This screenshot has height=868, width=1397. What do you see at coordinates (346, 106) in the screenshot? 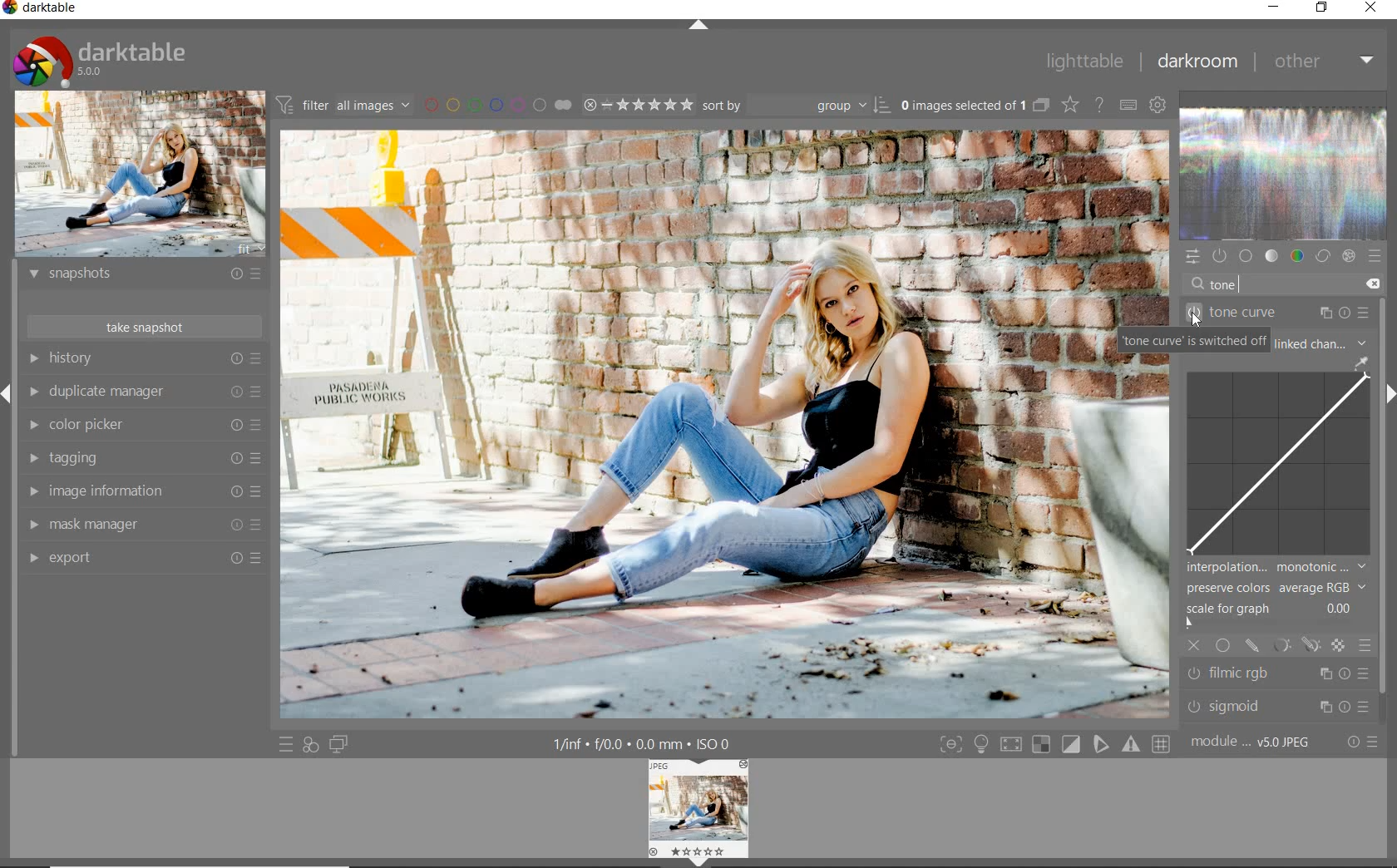
I see `filter images based on their modules` at bounding box center [346, 106].